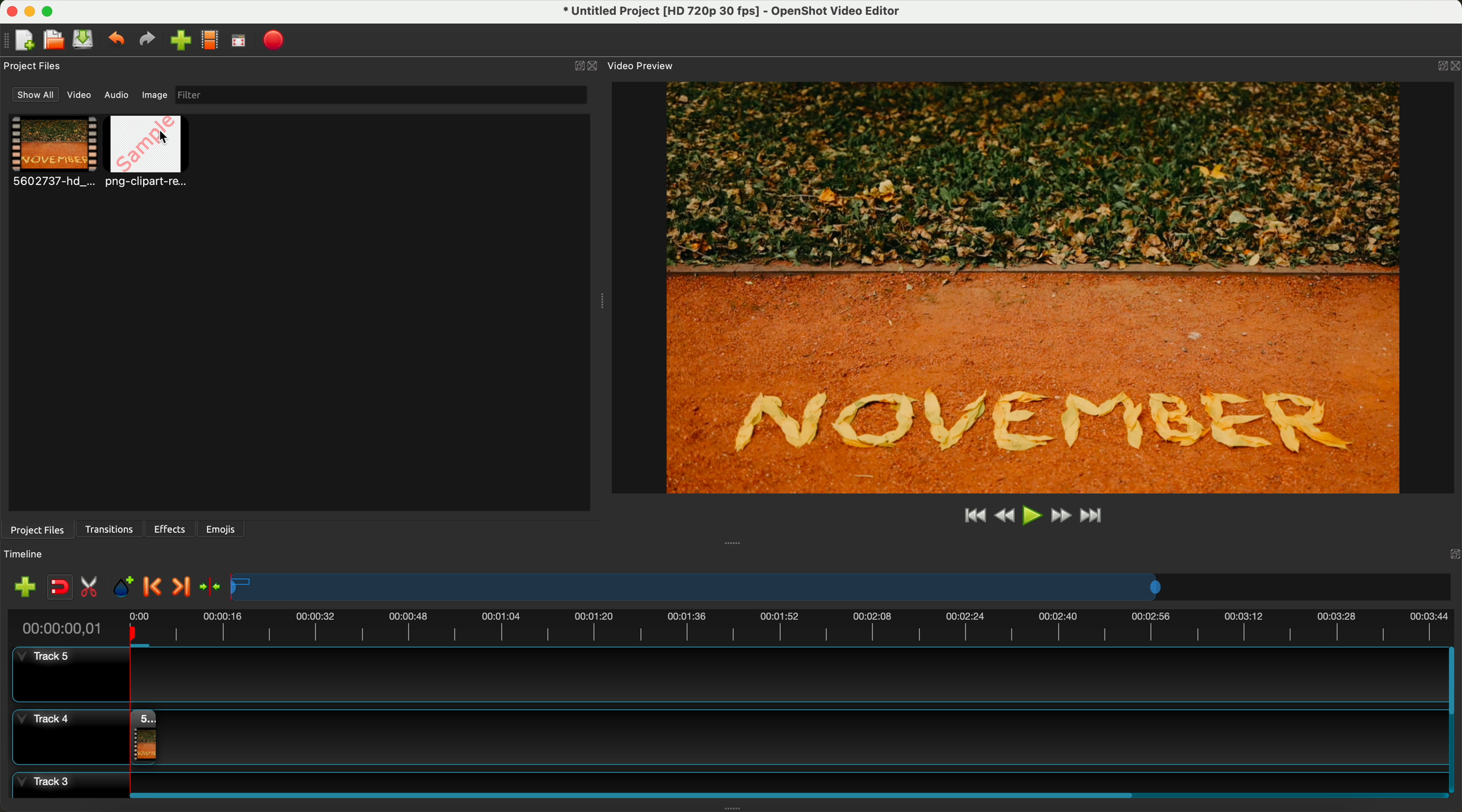  What do you see at coordinates (162, 136) in the screenshot?
I see `Cursor` at bounding box center [162, 136].